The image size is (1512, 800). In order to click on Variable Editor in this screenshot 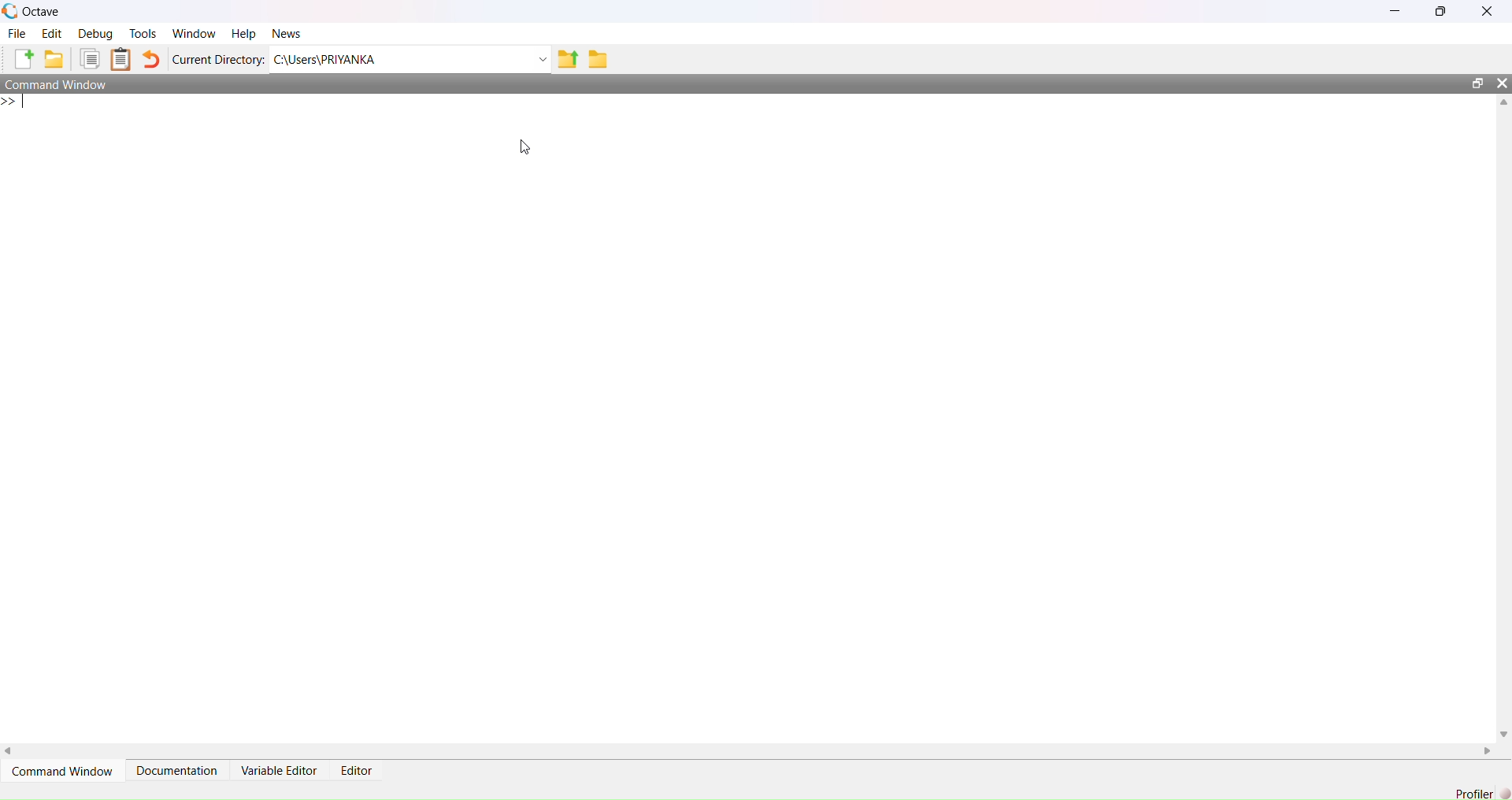, I will do `click(278, 770)`.